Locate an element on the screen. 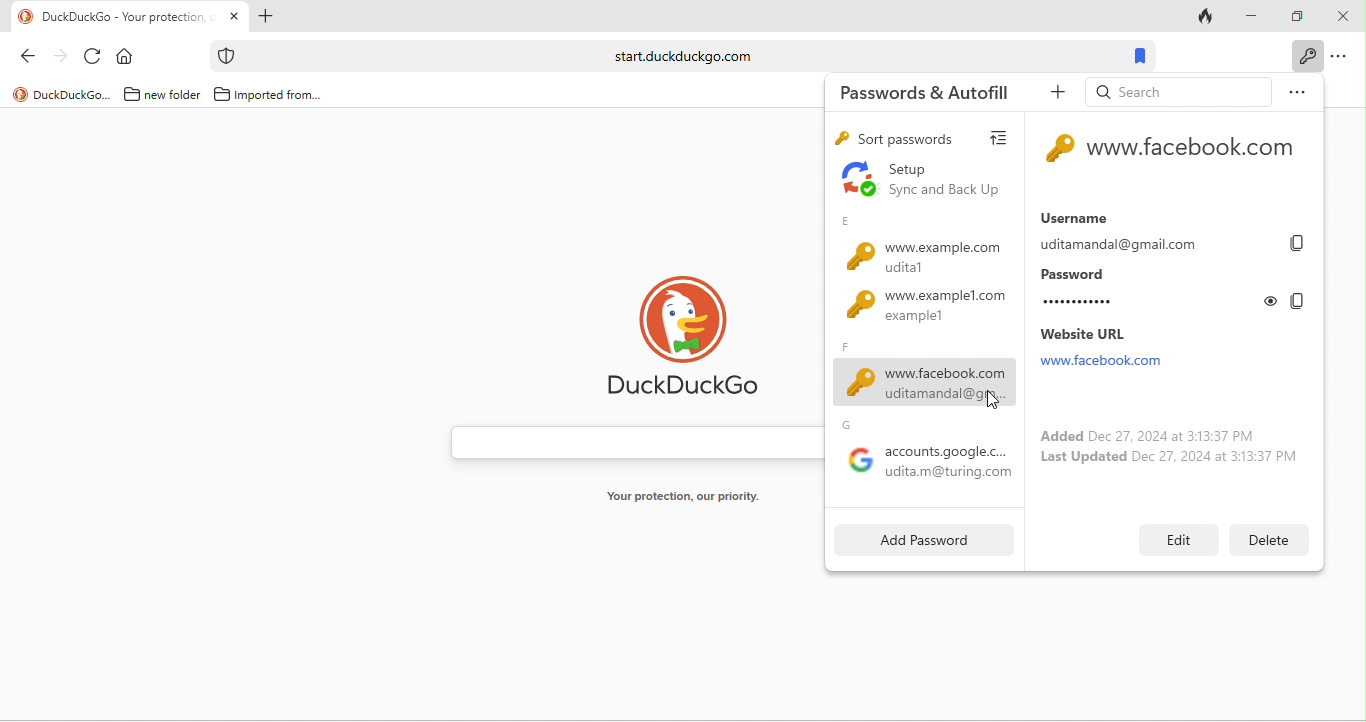 Image resolution: width=1366 pixels, height=722 pixels. home is located at coordinates (127, 58).